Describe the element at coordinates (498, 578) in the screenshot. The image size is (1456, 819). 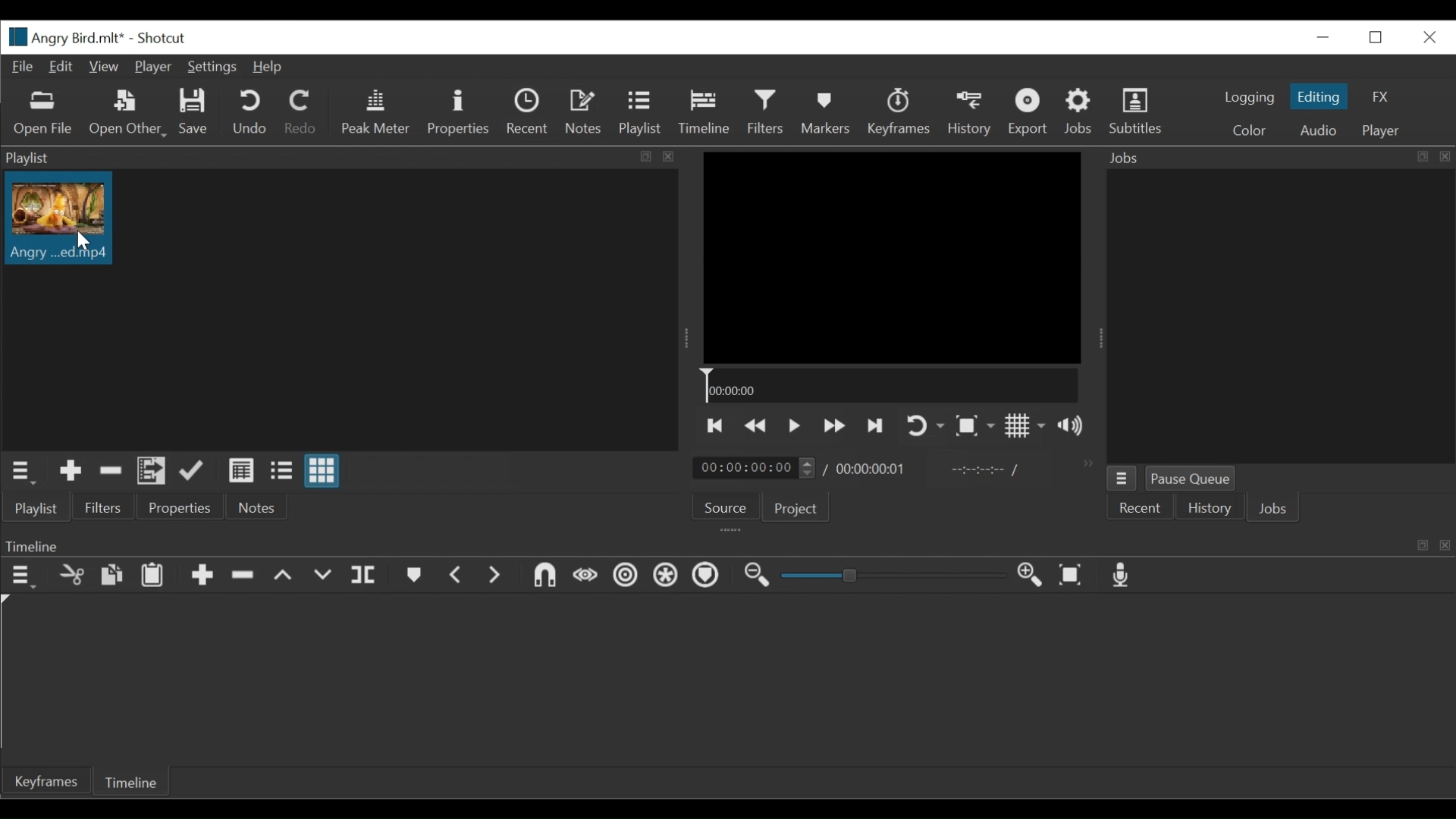
I see `next` at that location.